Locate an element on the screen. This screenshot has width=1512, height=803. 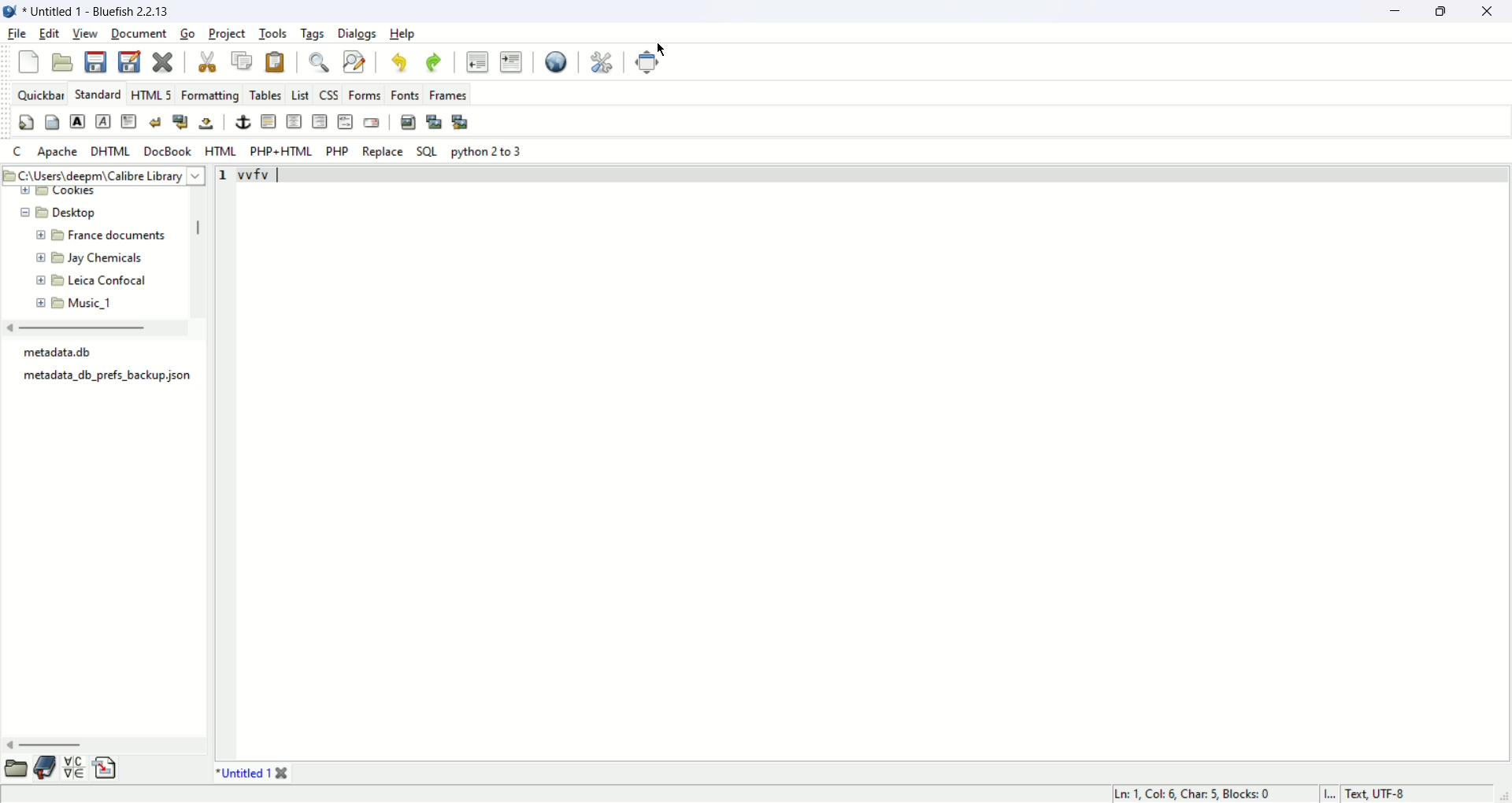
fonts is located at coordinates (407, 94).